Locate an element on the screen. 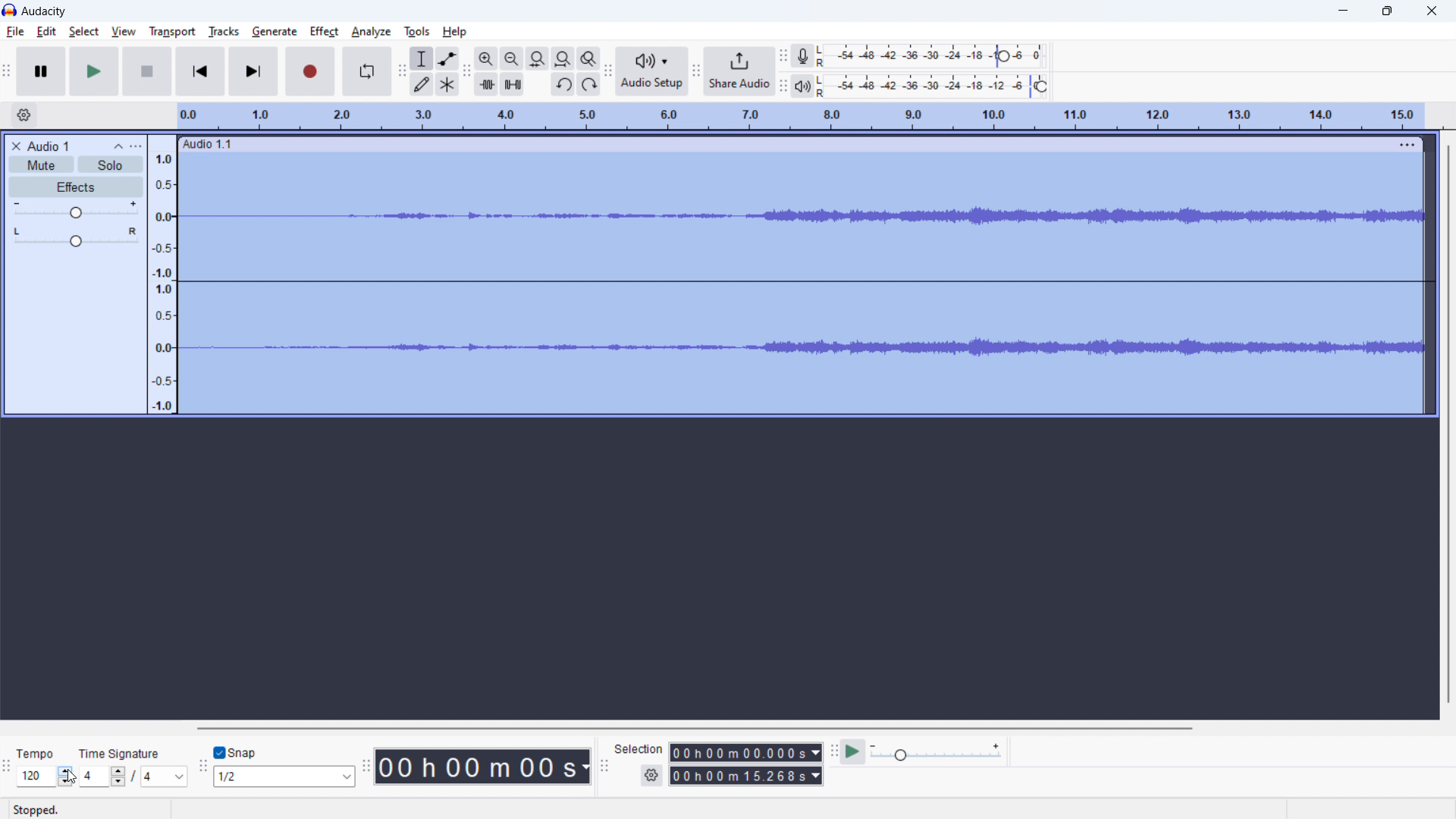 This screenshot has height=819, width=1456. enable looping is located at coordinates (367, 71).